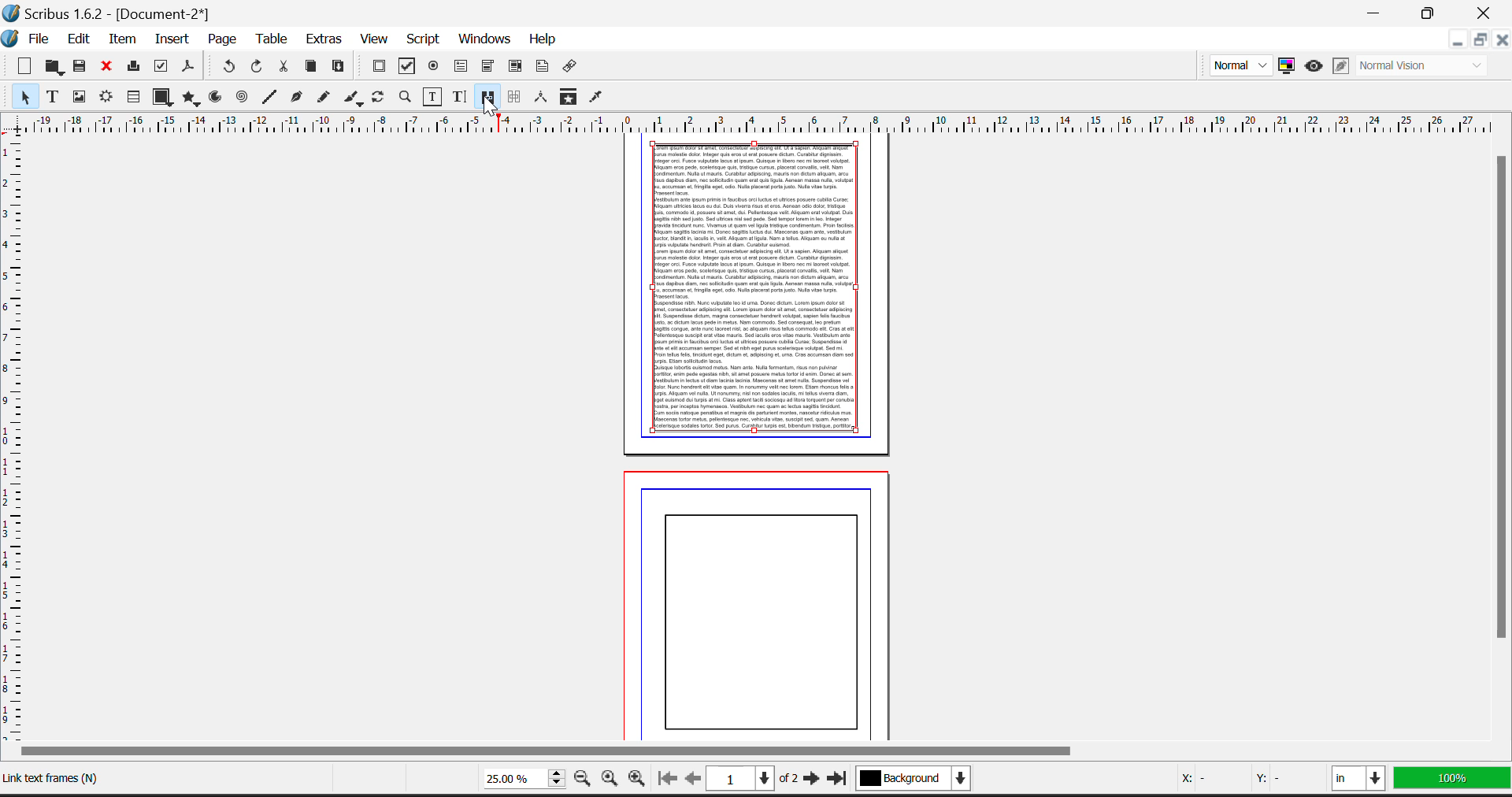 Image resolution: width=1512 pixels, height=797 pixels. I want to click on Polygons, so click(190, 98).